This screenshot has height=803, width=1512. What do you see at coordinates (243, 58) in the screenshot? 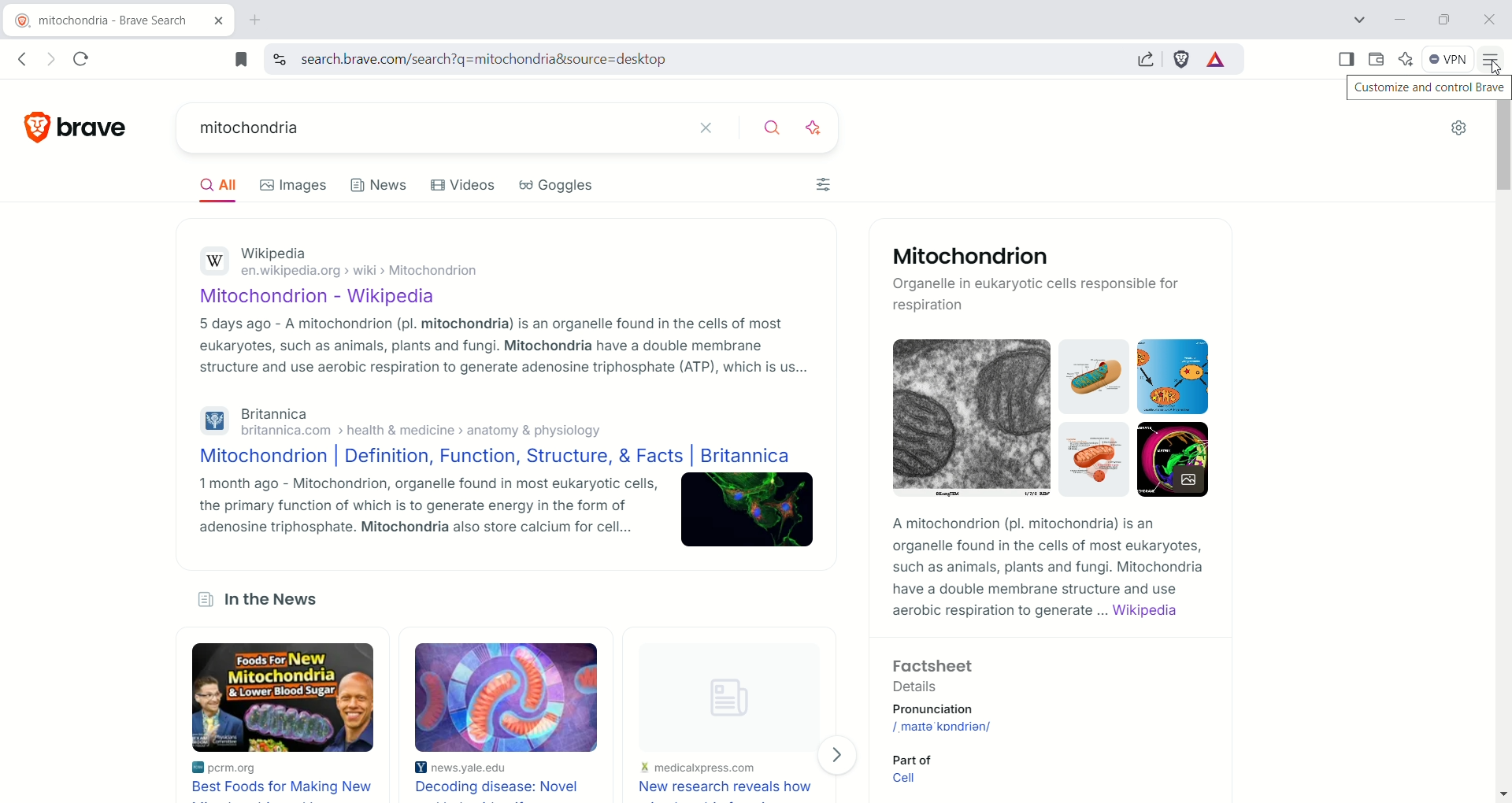
I see `bookmark this tab` at bounding box center [243, 58].